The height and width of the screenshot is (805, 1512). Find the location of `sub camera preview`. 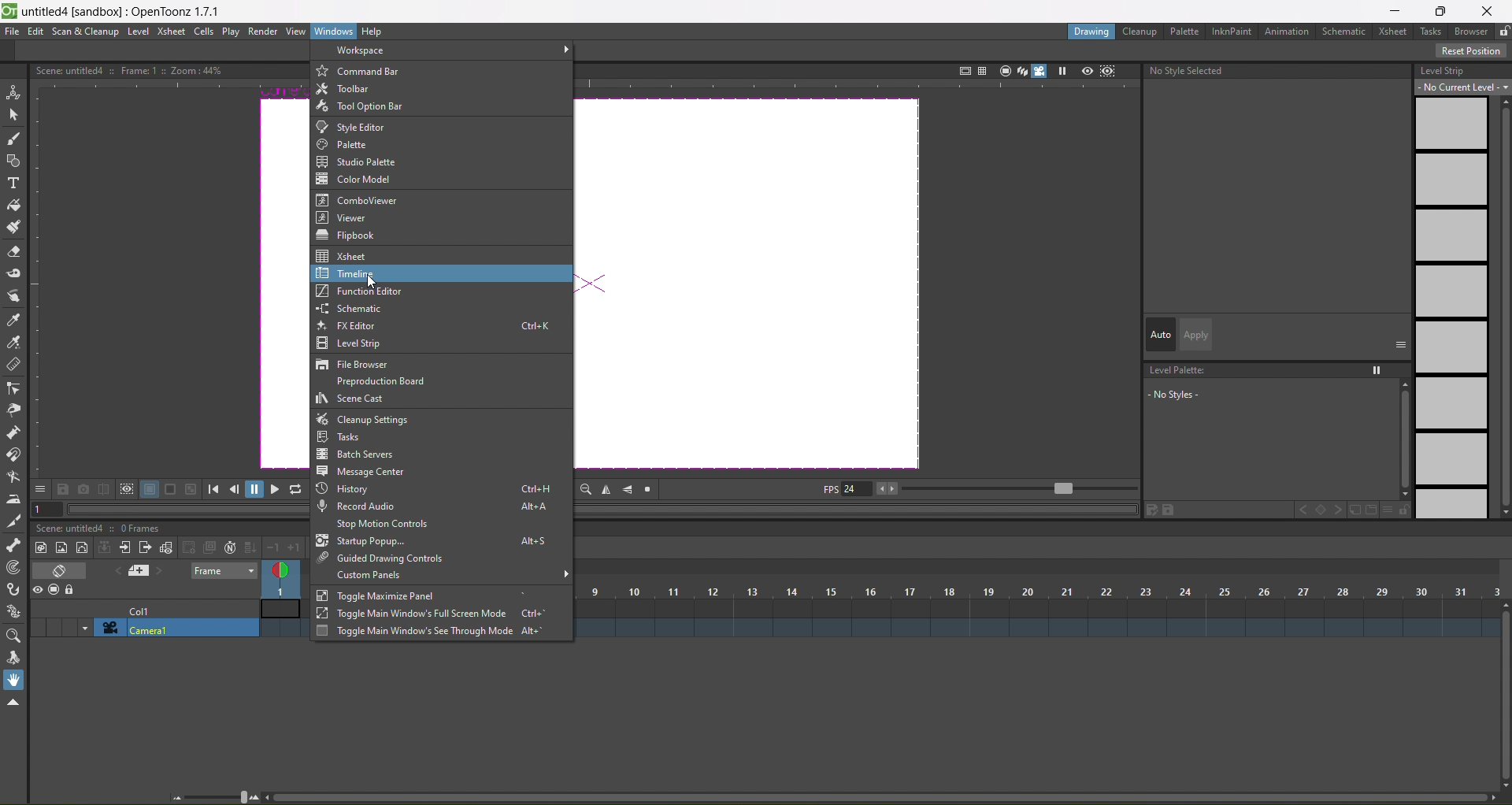

sub camera preview is located at coordinates (1108, 71).